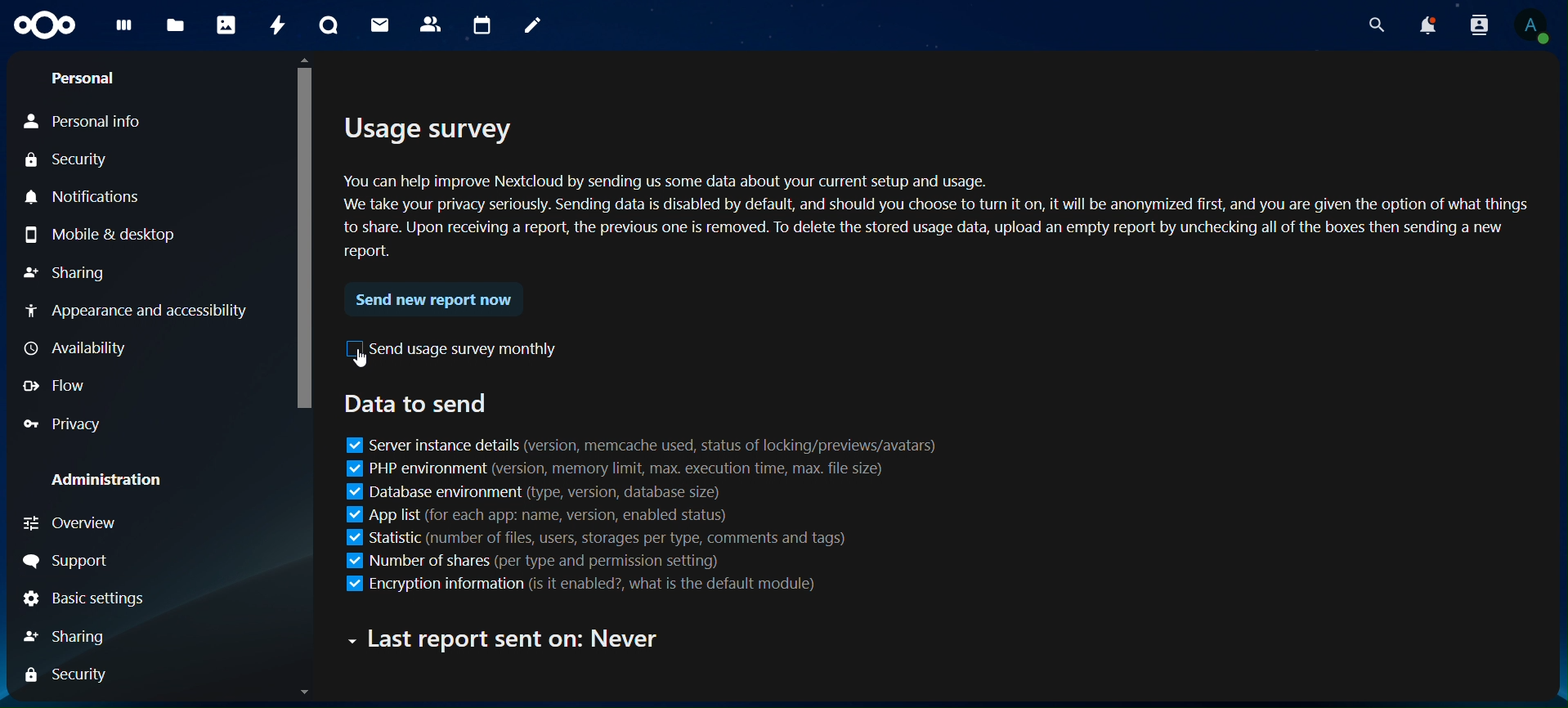  I want to click on Cursor, so click(363, 363).